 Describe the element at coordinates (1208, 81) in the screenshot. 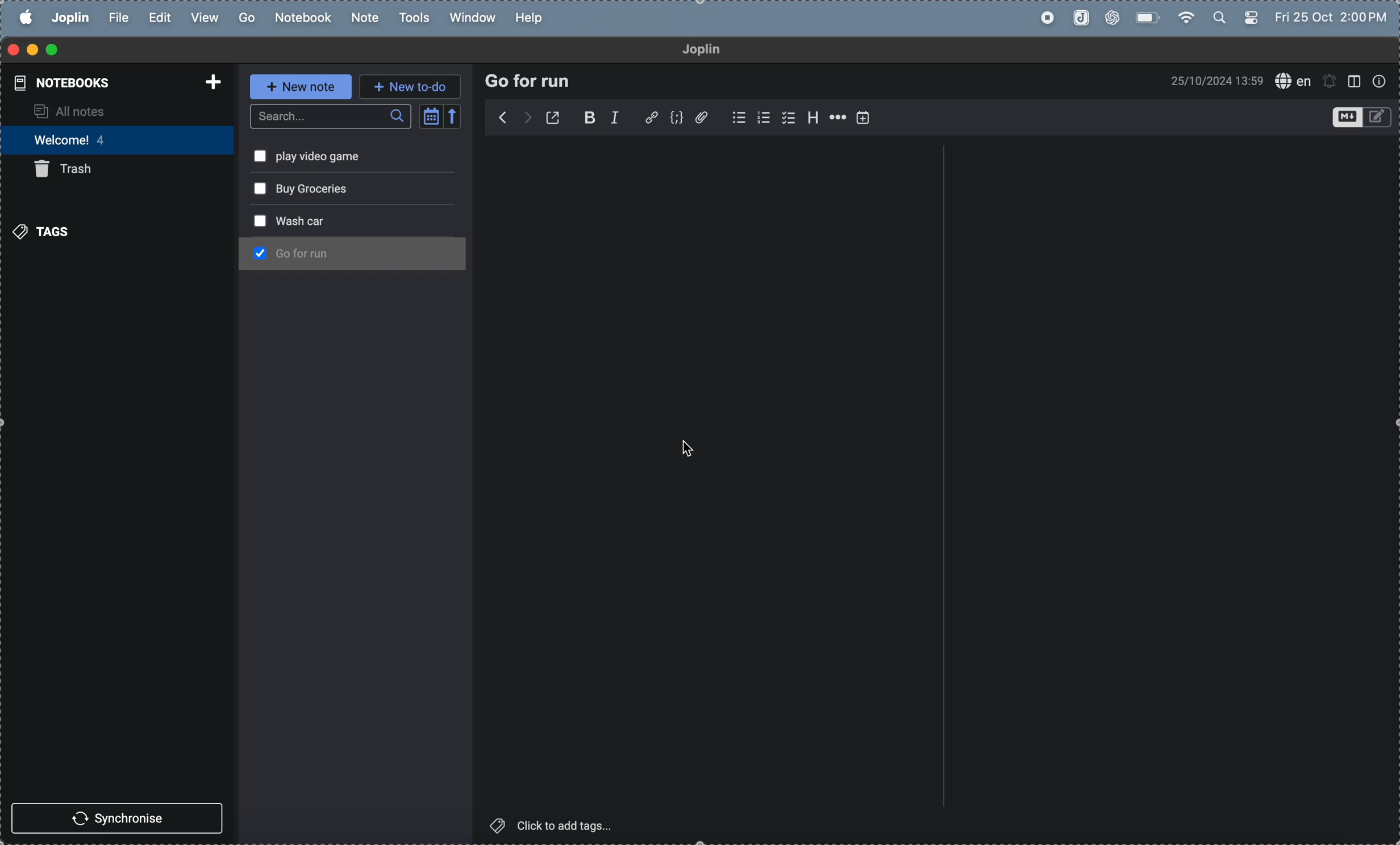

I see `time and date` at that location.